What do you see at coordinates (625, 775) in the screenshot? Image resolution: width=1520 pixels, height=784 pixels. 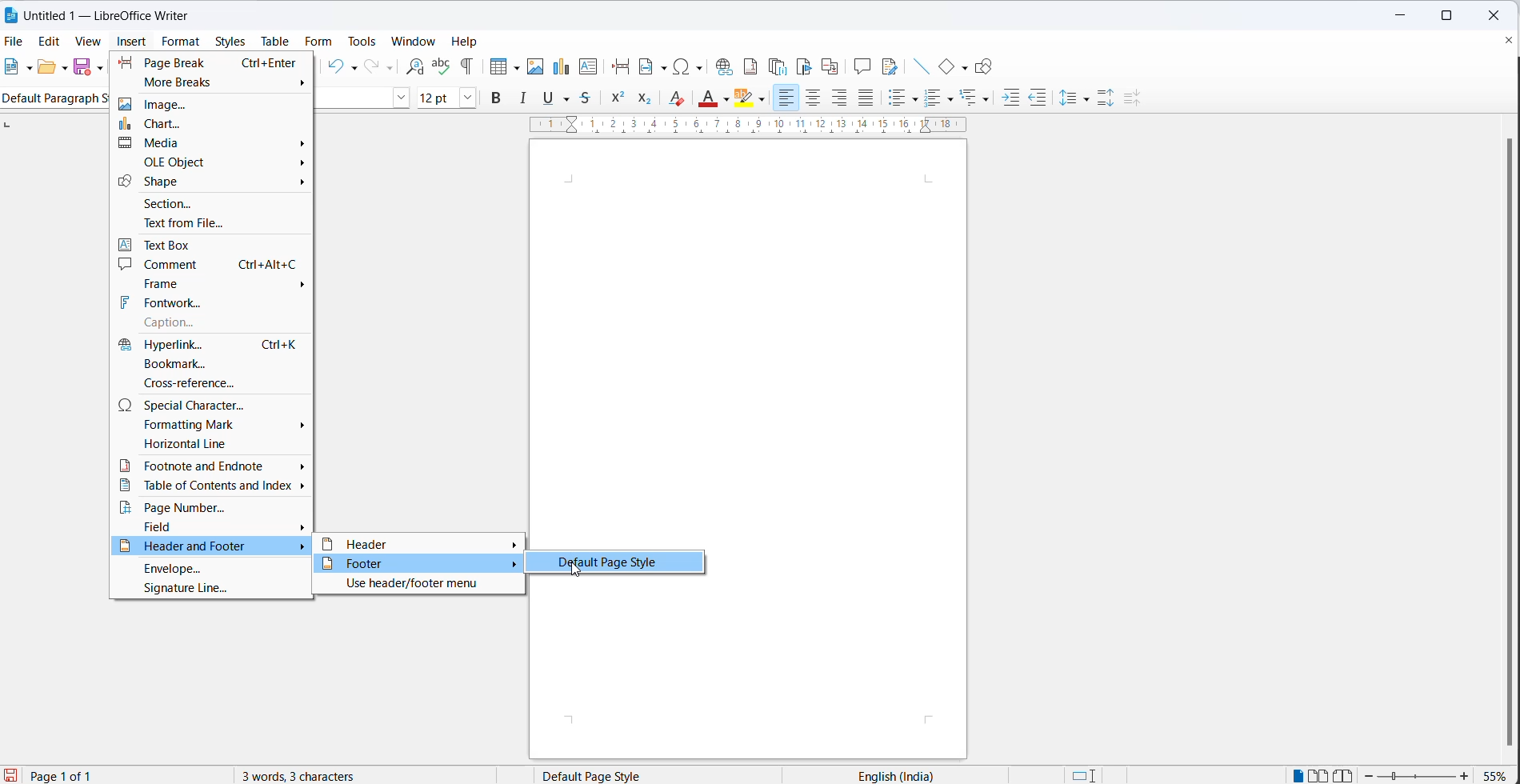 I see `page style` at bounding box center [625, 775].